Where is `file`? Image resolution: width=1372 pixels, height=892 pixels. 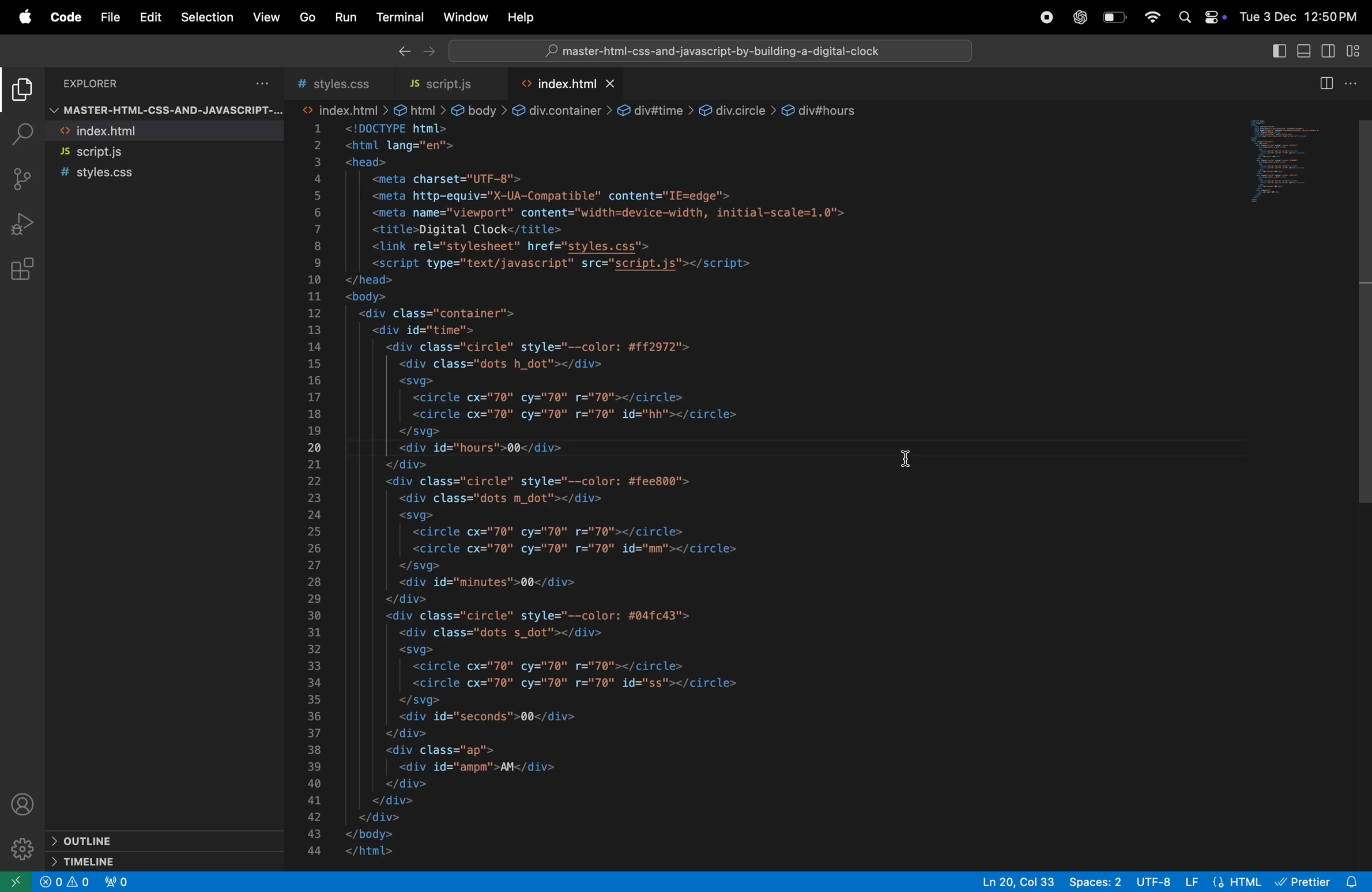
file is located at coordinates (111, 17).